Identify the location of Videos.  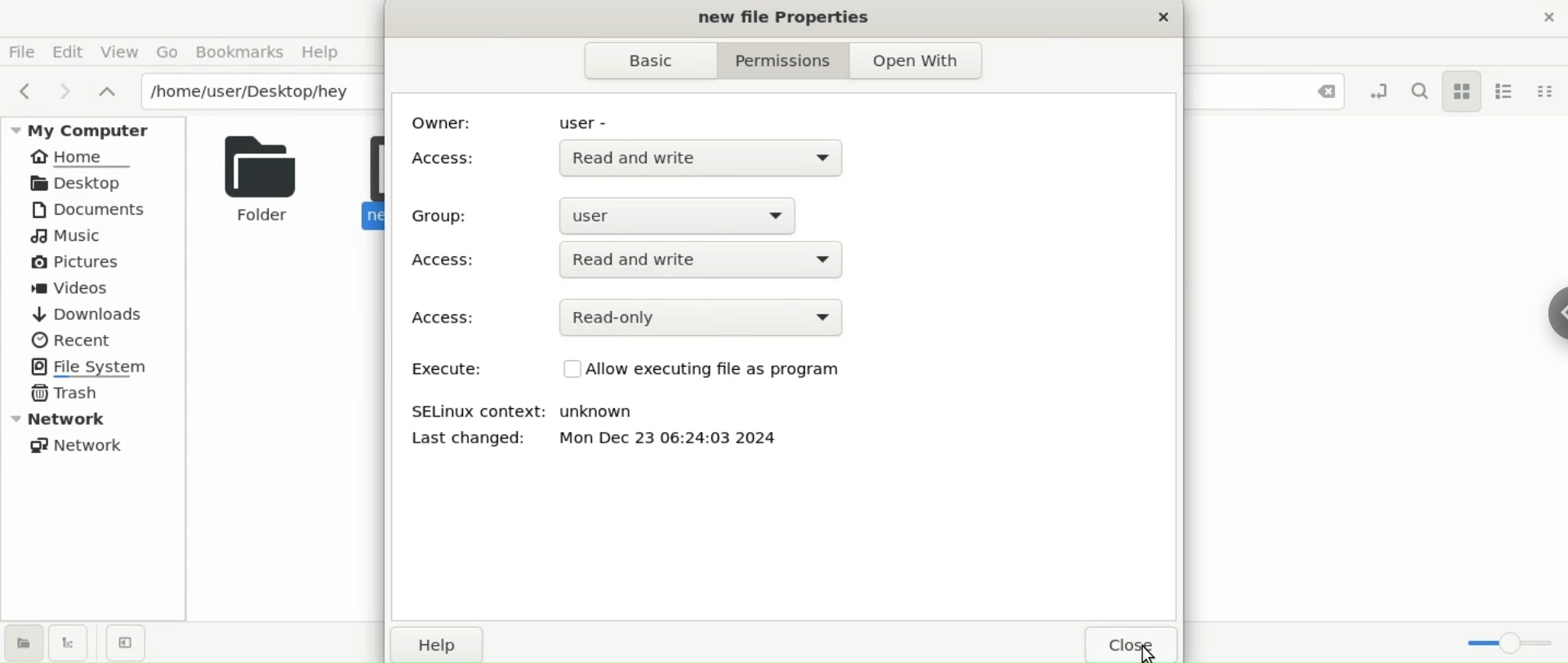
(82, 289).